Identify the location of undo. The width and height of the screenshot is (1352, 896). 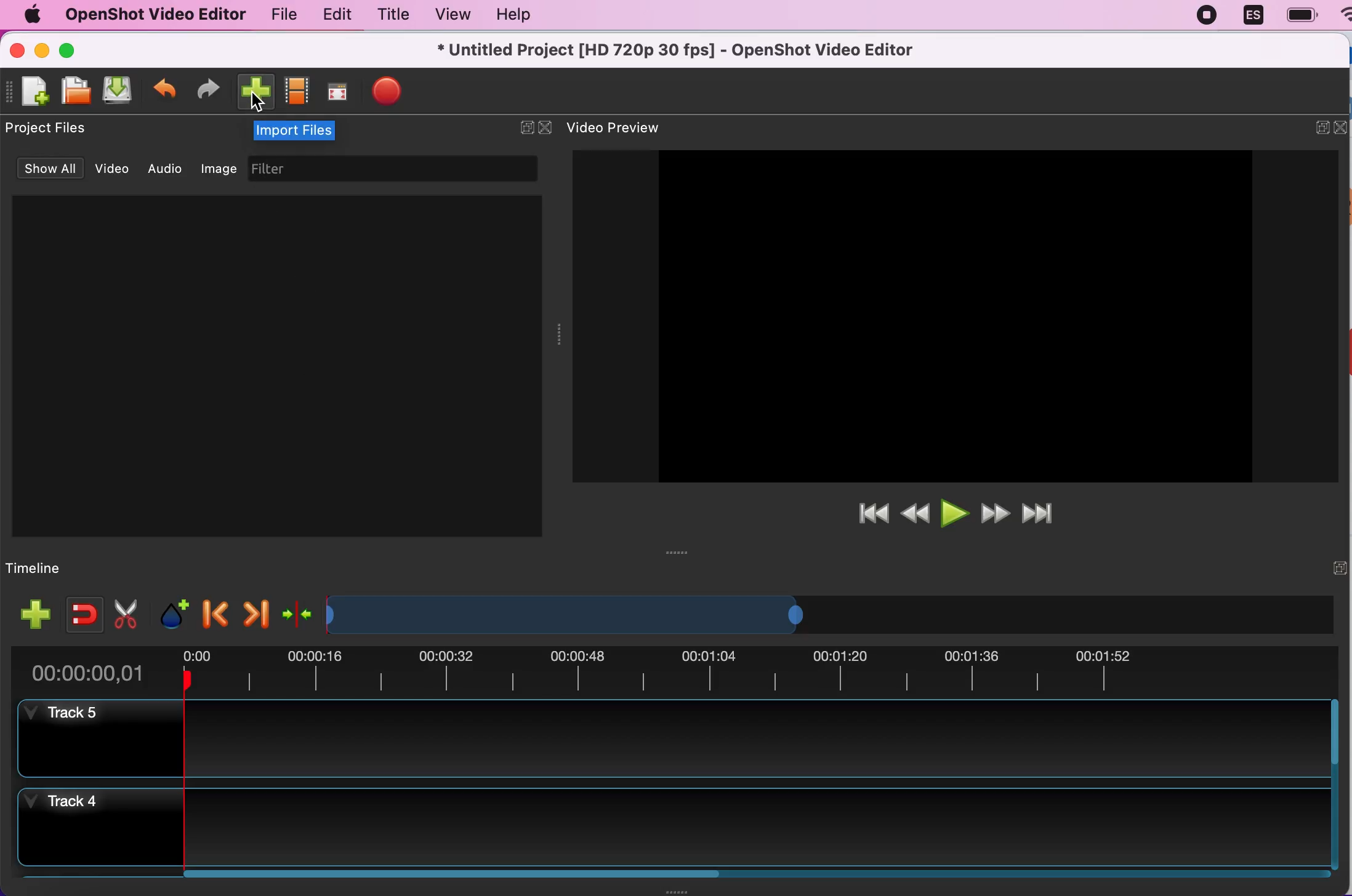
(166, 92).